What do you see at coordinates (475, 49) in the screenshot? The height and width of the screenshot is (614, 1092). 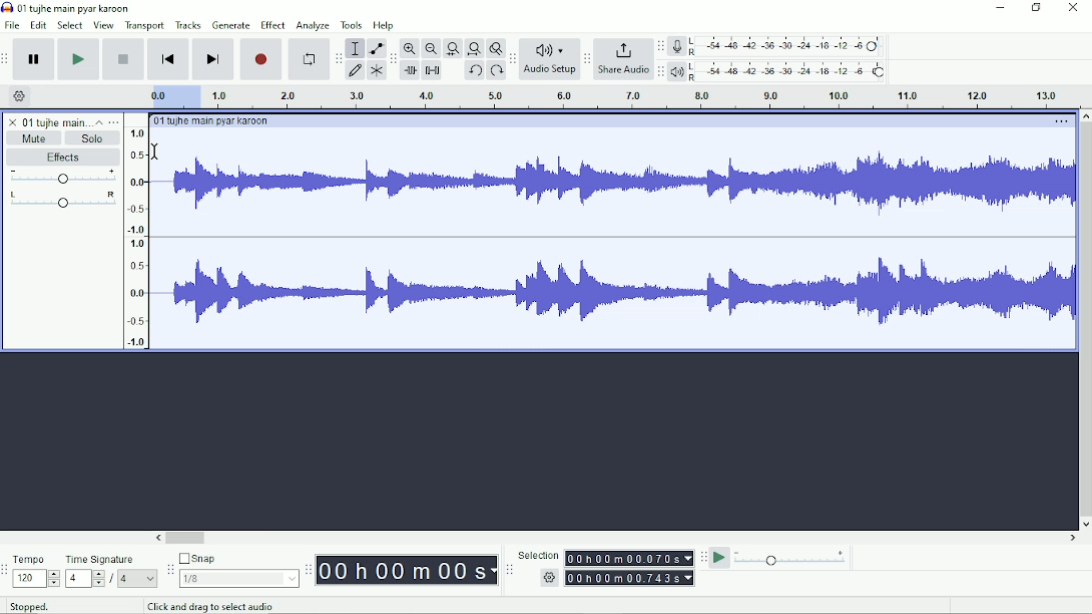 I see `Fit project to width` at bounding box center [475, 49].